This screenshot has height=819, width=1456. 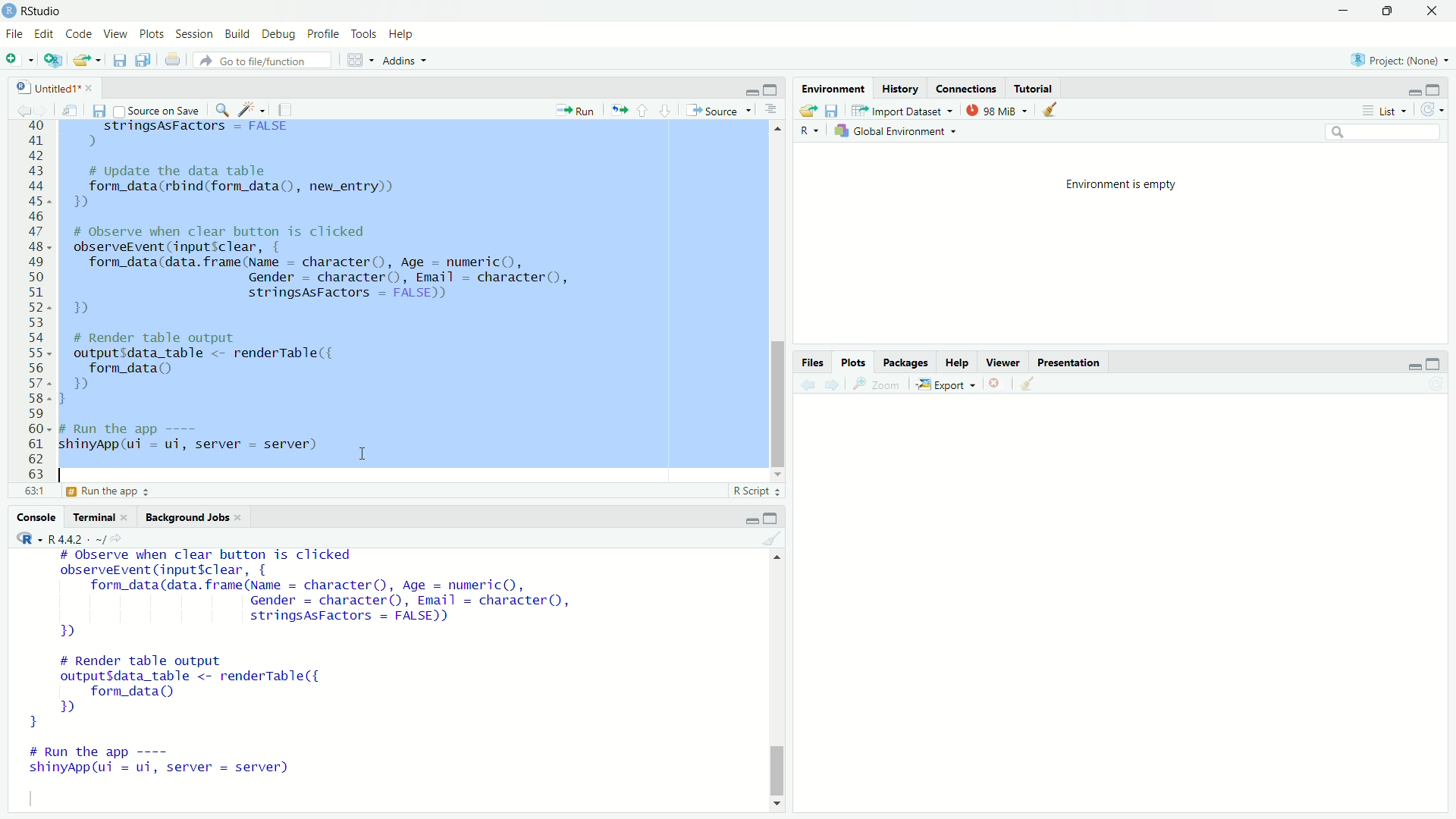 I want to click on Files, so click(x=810, y=362).